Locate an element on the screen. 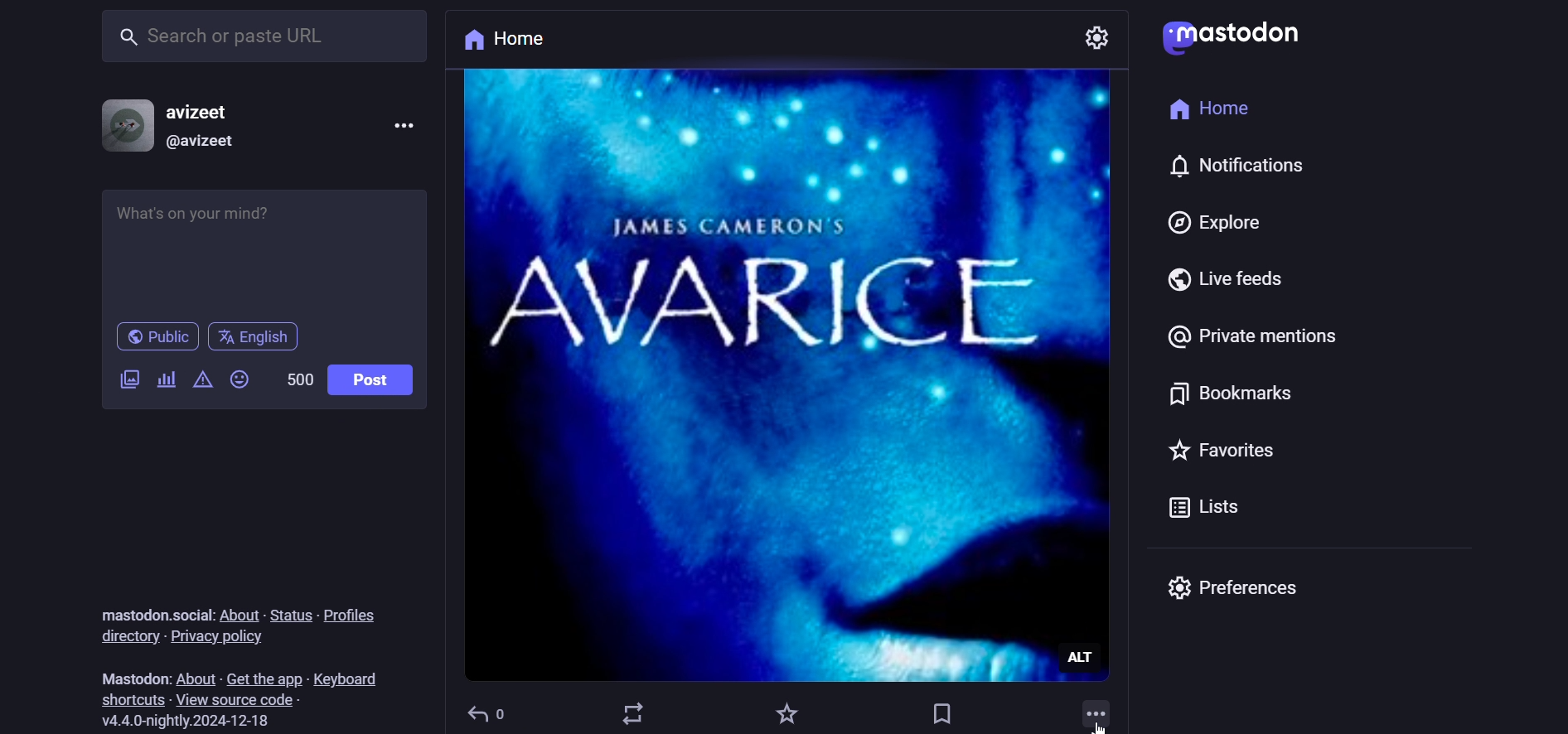  post here is located at coordinates (258, 249).